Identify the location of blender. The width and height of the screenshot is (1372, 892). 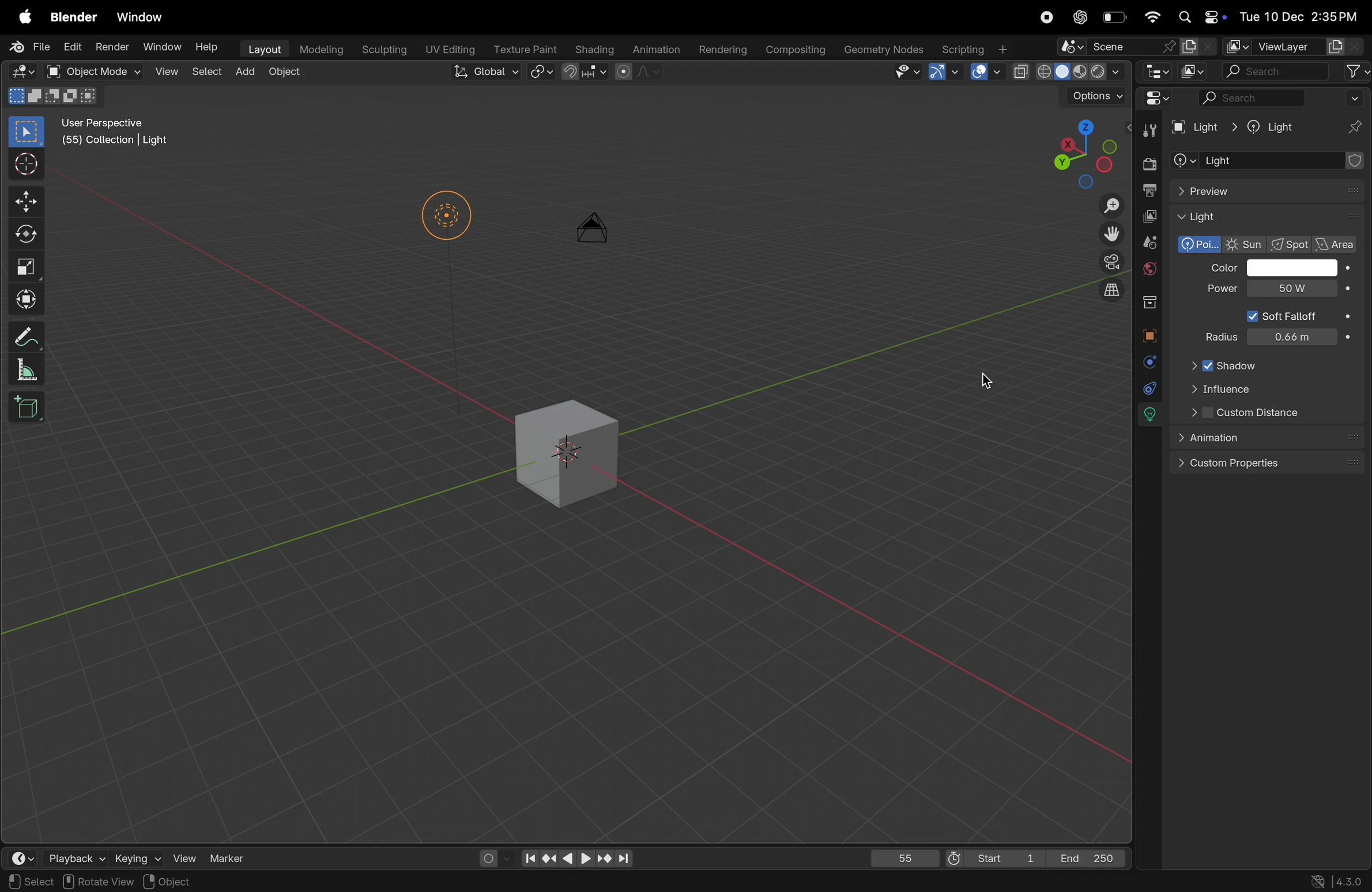
(74, 16).